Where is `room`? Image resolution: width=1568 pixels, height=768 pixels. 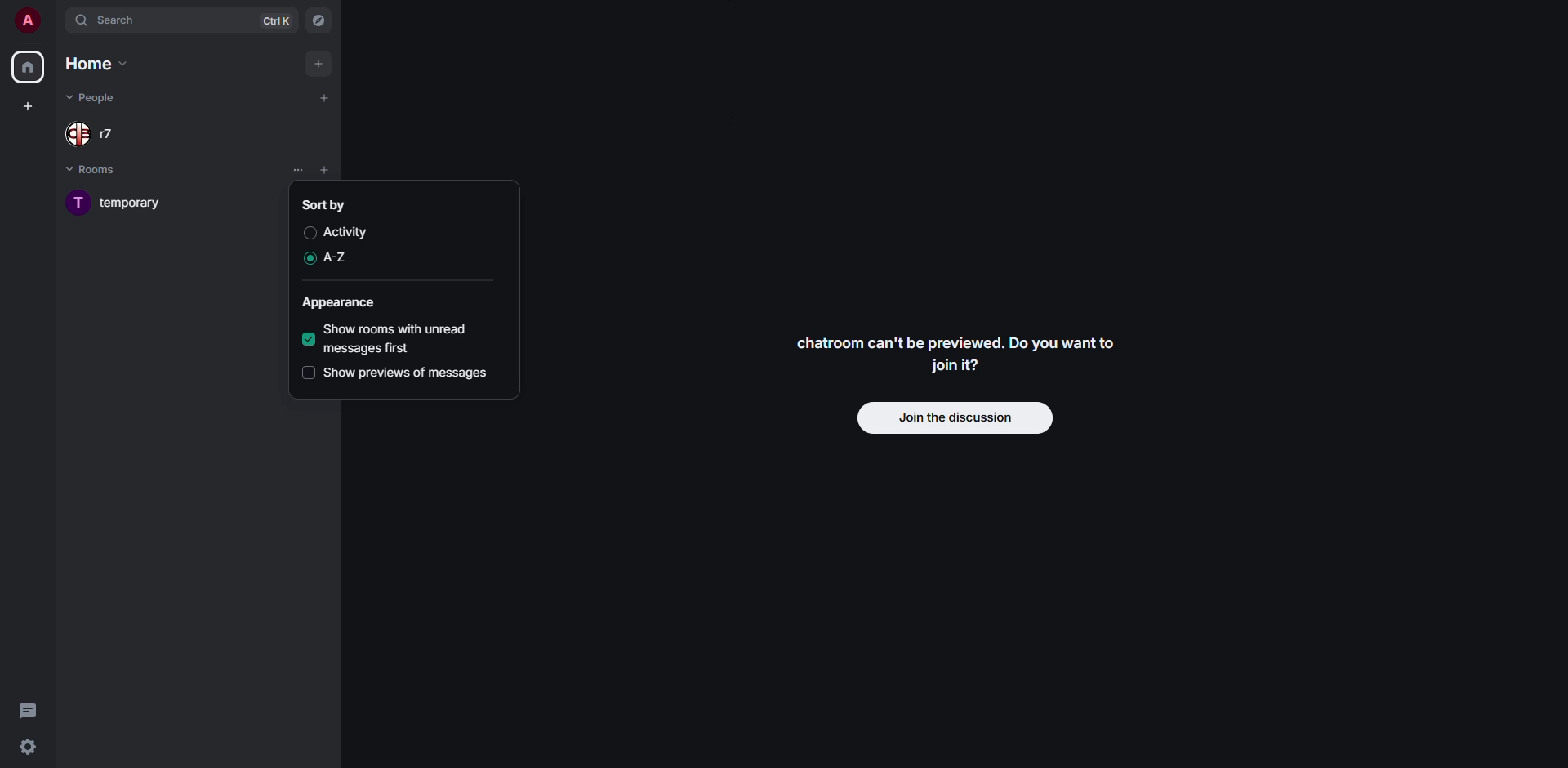 room is located at coordinates (125, 203).